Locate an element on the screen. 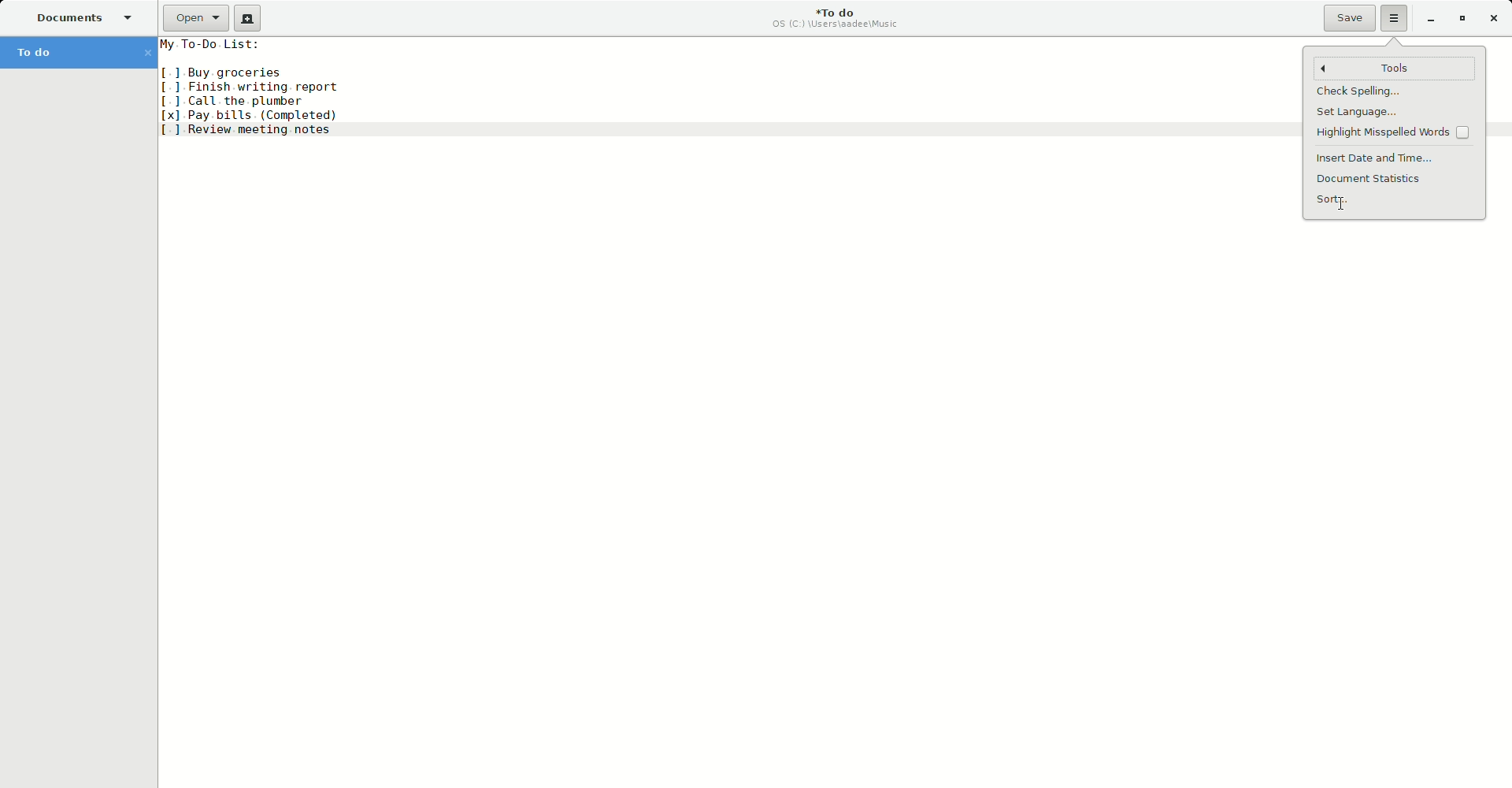 The width and height of the screenshot is (1512, 788). Insert date and time is located at coordinates (1384, 156).